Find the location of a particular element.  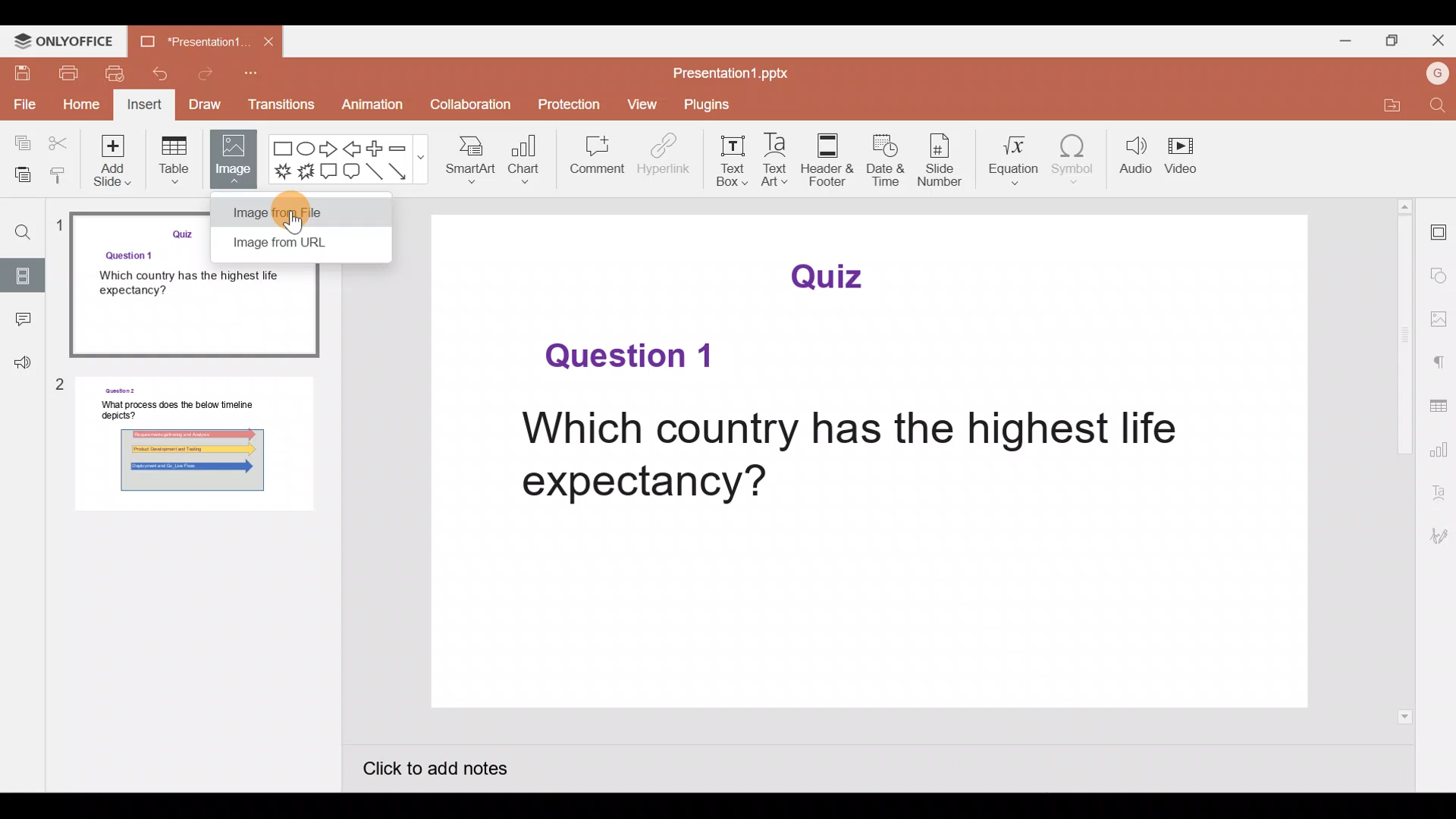

Symbol is located at coordinates (1077, 158).